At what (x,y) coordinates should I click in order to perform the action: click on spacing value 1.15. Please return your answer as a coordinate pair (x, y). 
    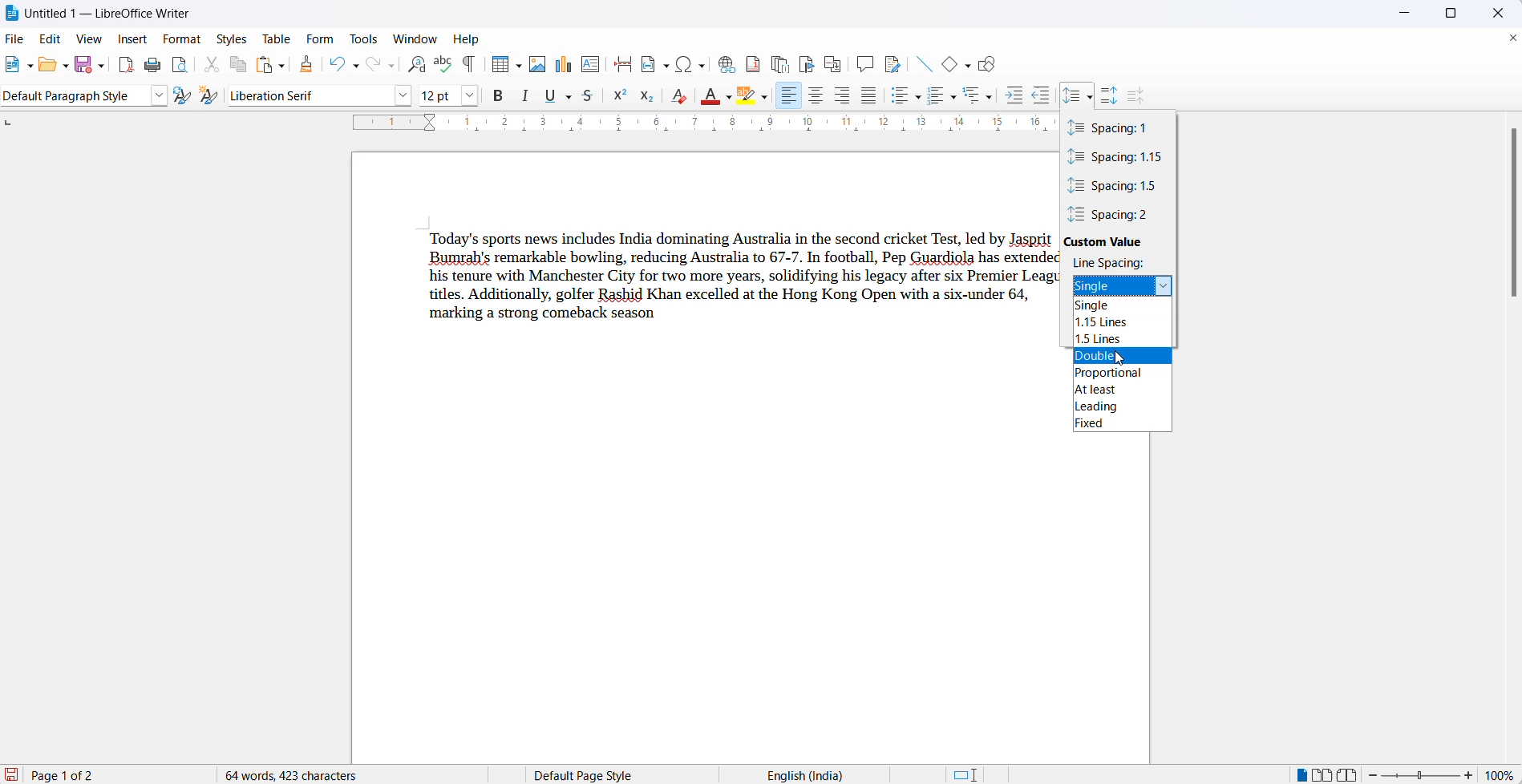
    Looking at the image, I should click on (1117, 158).